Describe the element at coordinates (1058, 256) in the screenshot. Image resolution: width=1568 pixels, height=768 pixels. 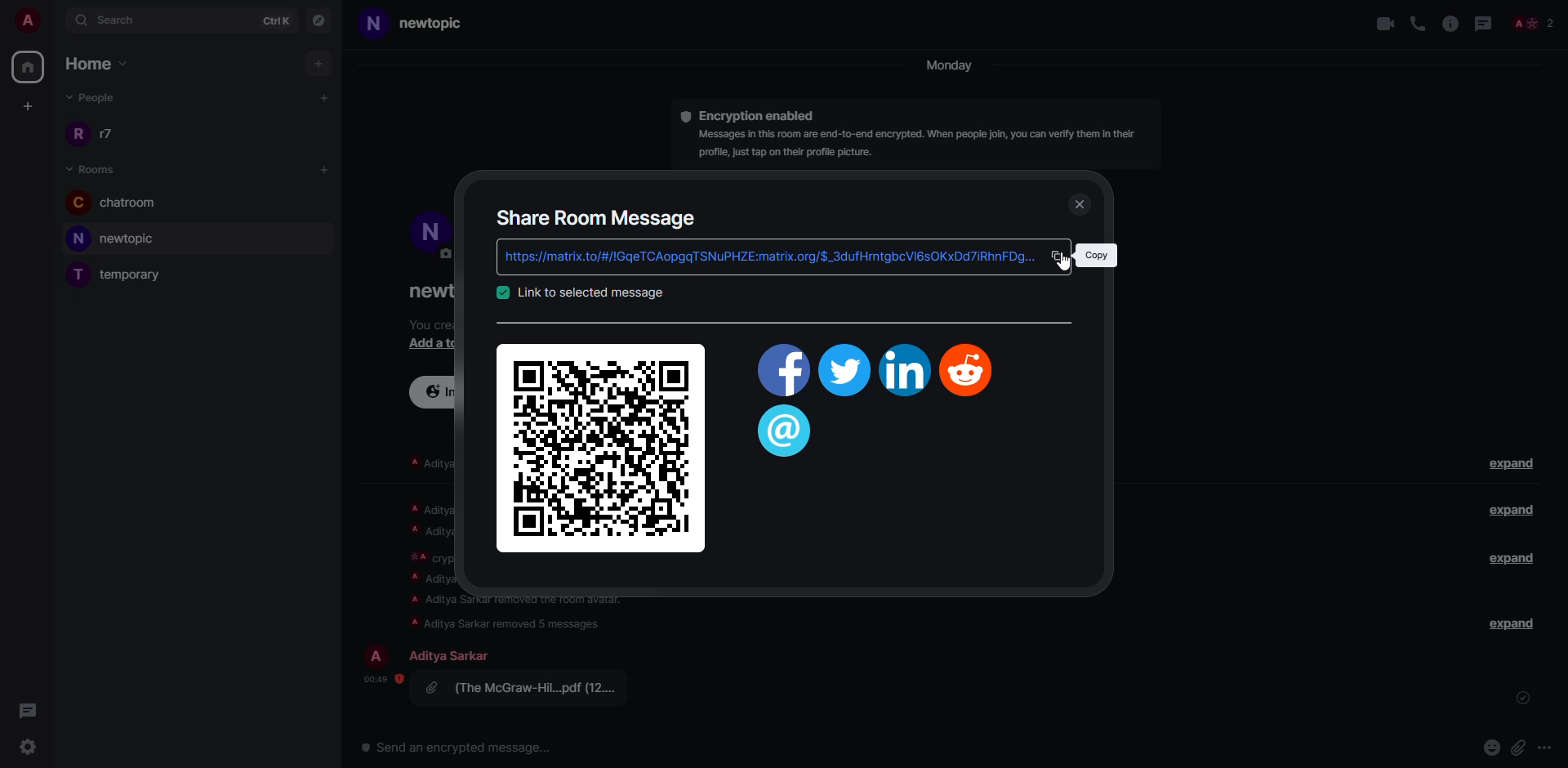
I see `copy` at that location.